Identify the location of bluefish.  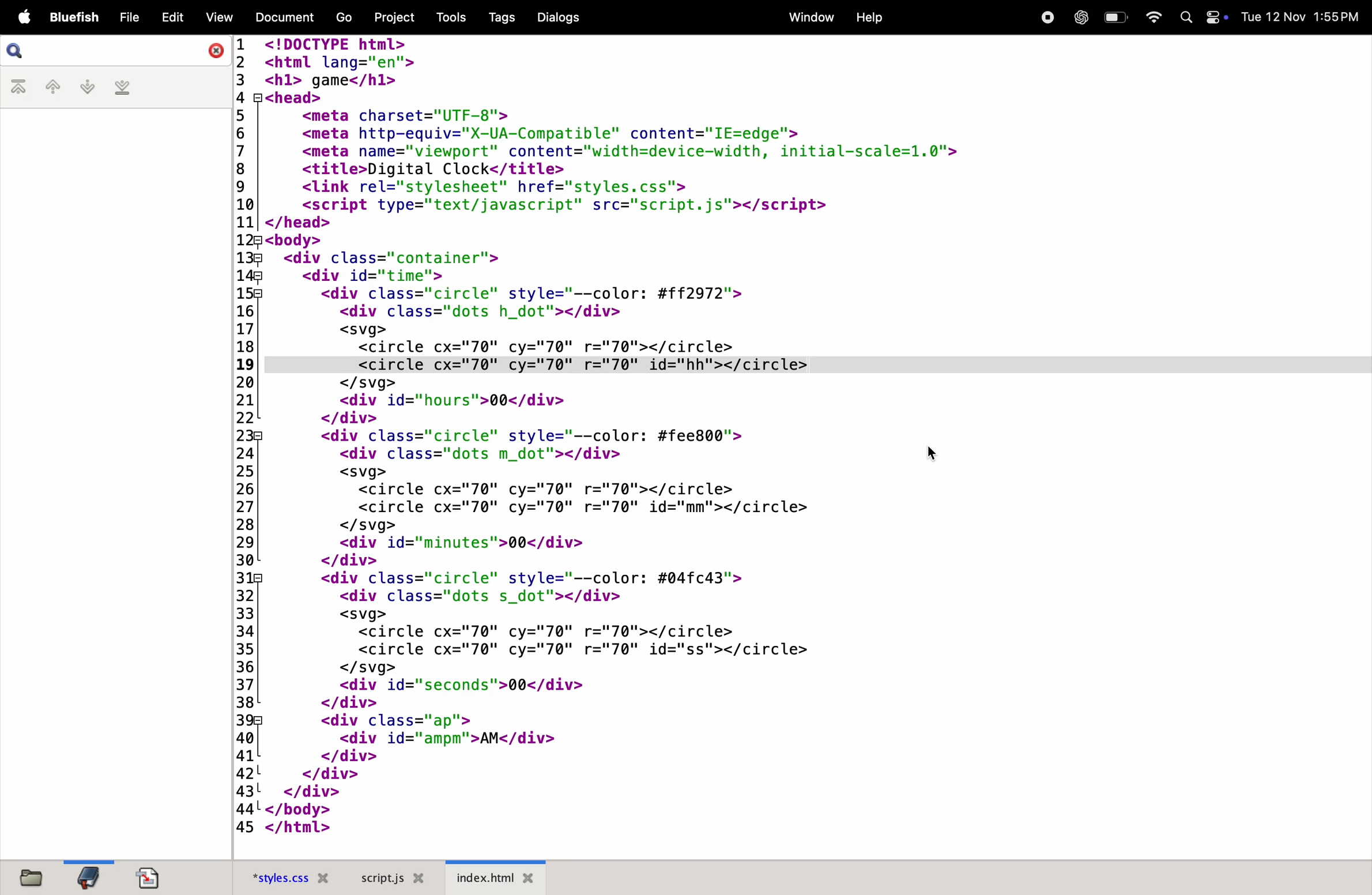
(74, 16).